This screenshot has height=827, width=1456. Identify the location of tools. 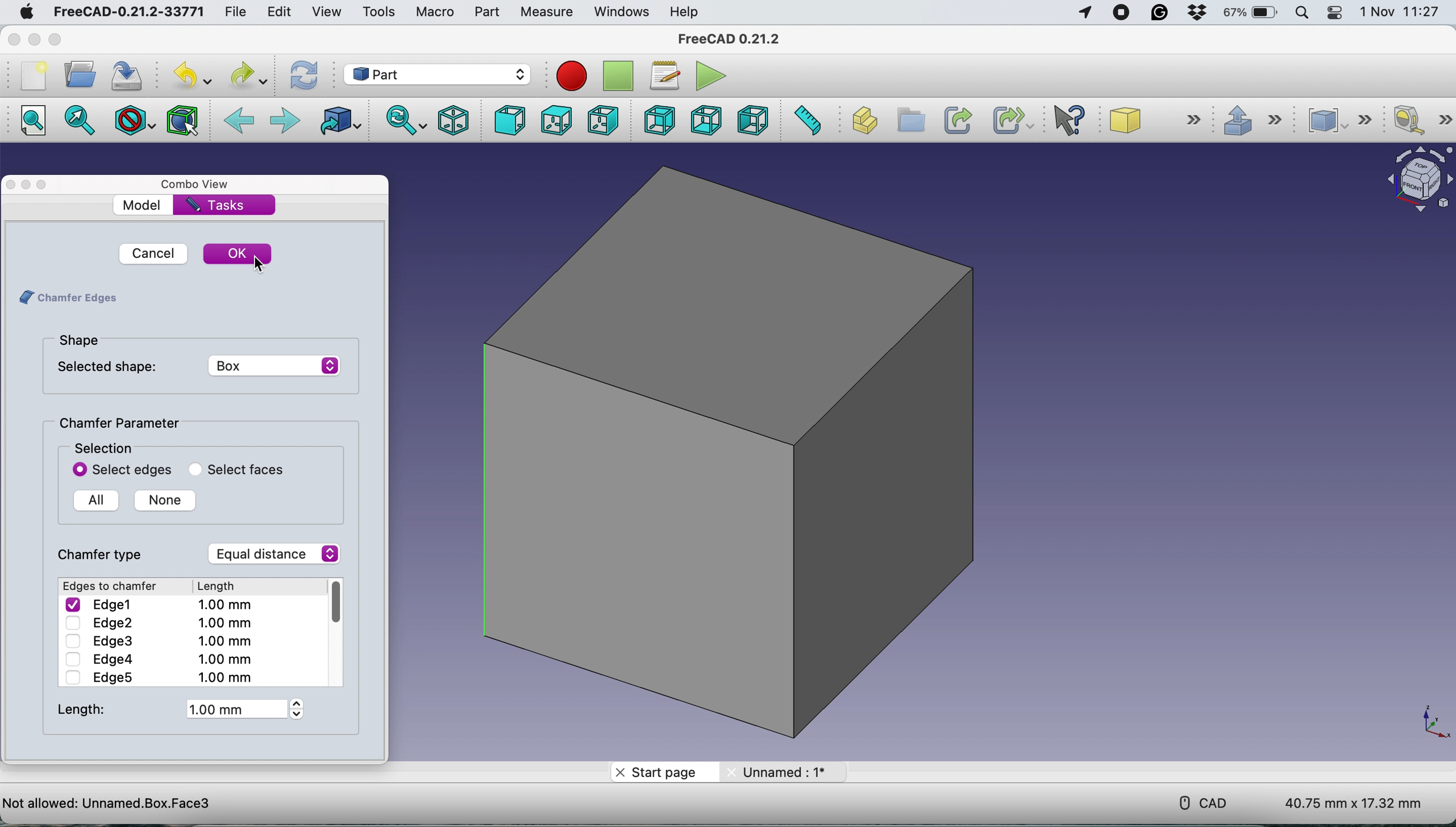
(381, 12).